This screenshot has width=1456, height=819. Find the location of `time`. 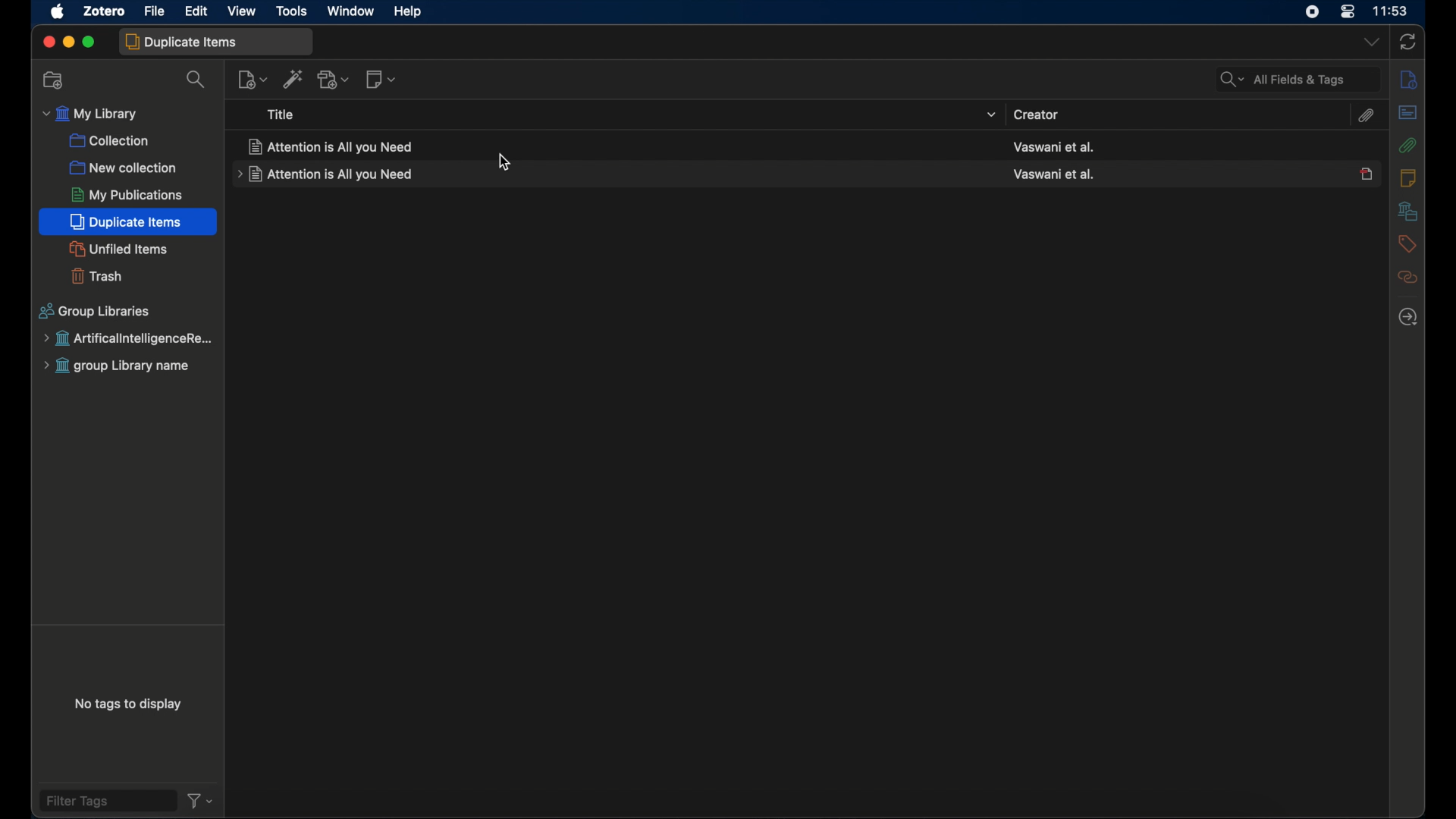

time is located at coordinates (1392, 11).